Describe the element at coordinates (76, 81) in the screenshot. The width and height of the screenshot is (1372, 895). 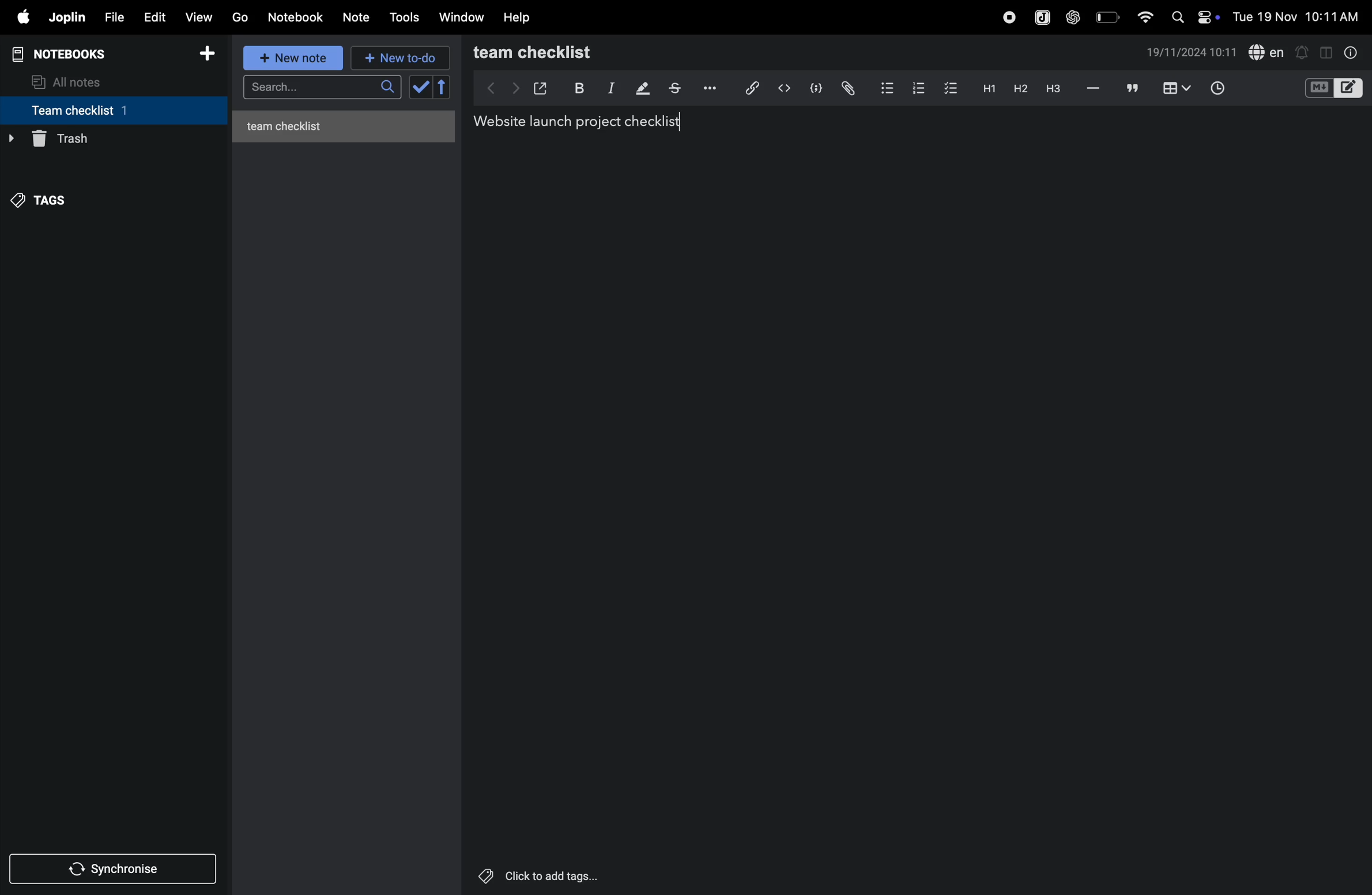
I see `all notes` at that location.